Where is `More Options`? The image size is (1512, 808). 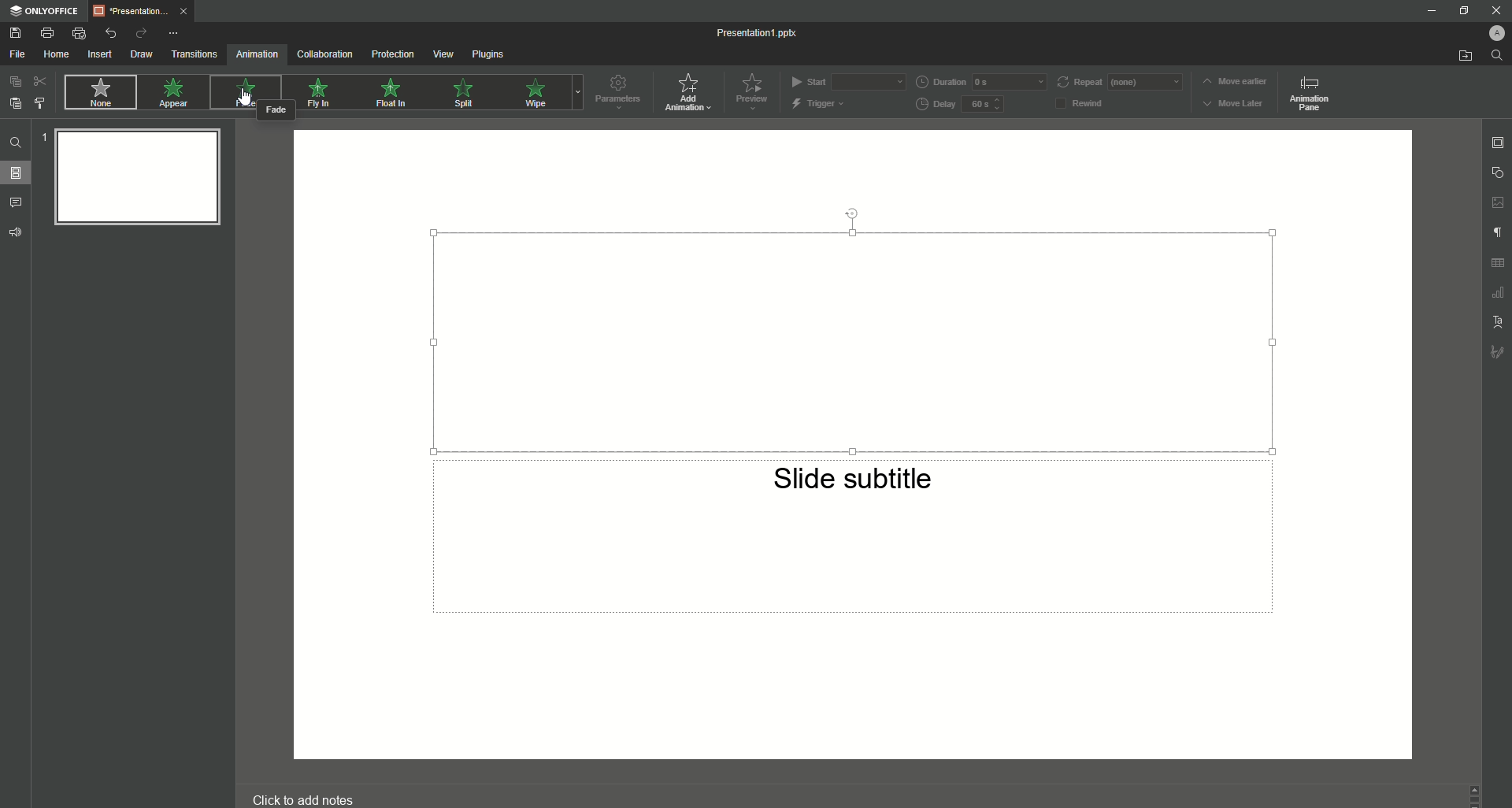 More Options is located at coordinates (172, 33).